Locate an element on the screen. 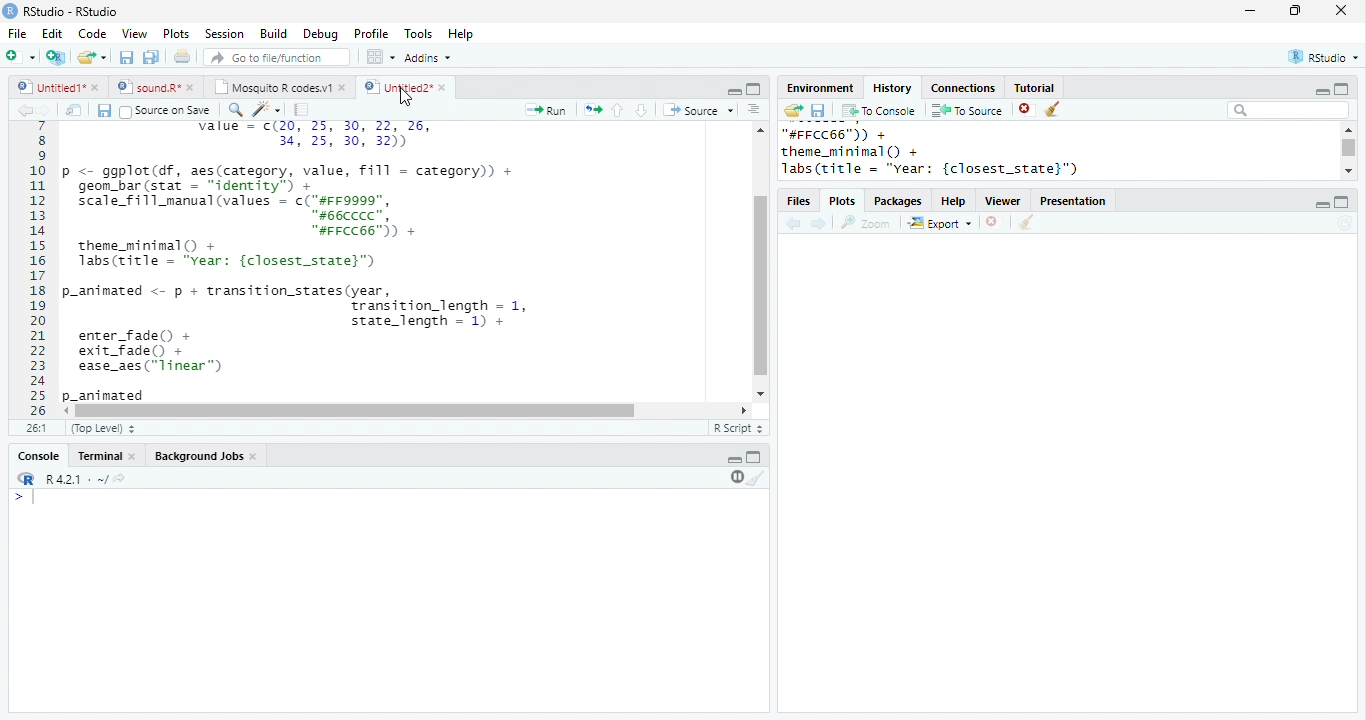  enter_fade() +exit_fade() +ease_aes("linear")p_animated is located at coordinates (151, 366).